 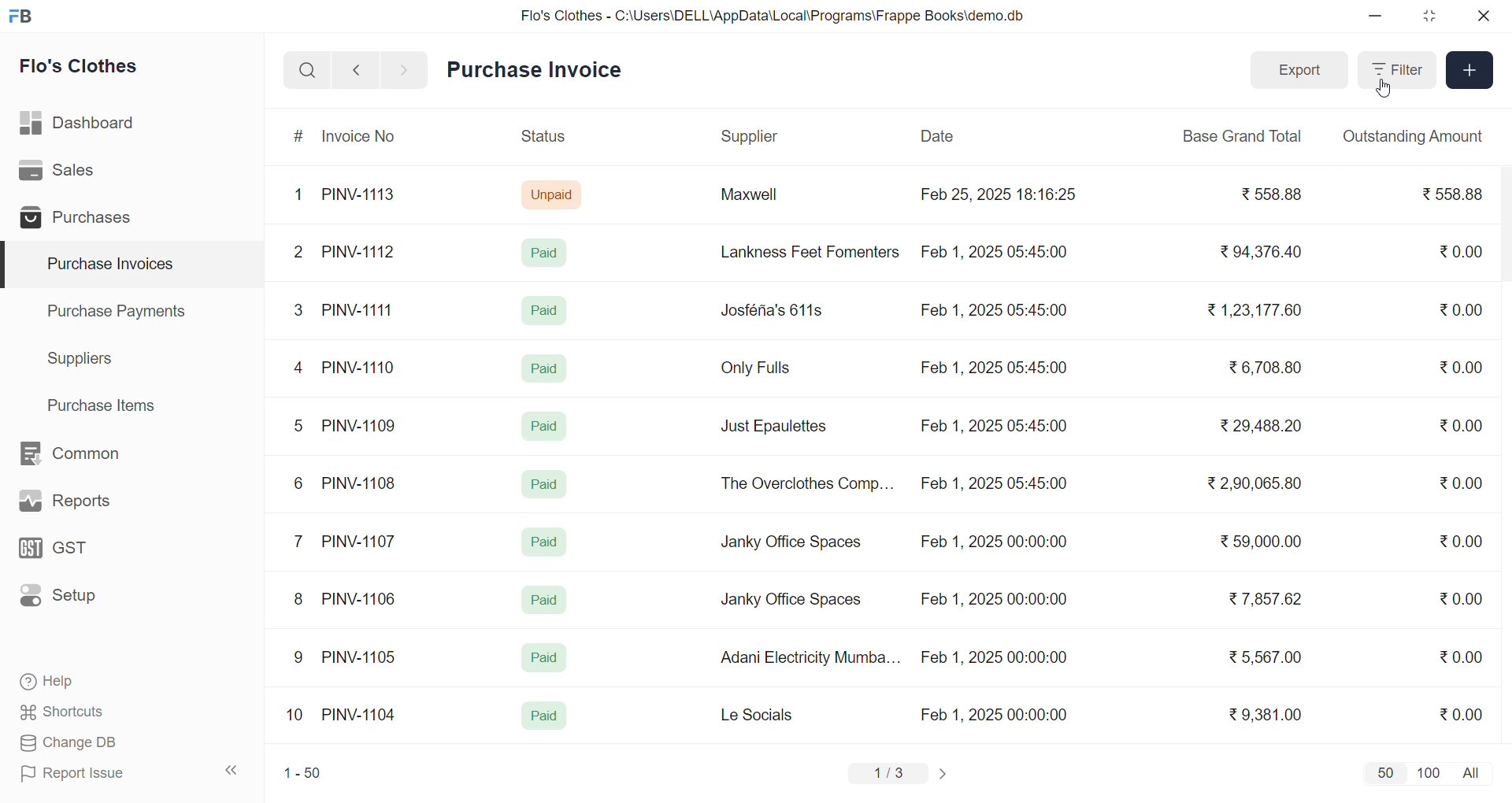 What do you see at coordinates (994, 657) in the screenshot?
I see `Feb 1, 2025 00:00:00` at bounding box center [994, 657].